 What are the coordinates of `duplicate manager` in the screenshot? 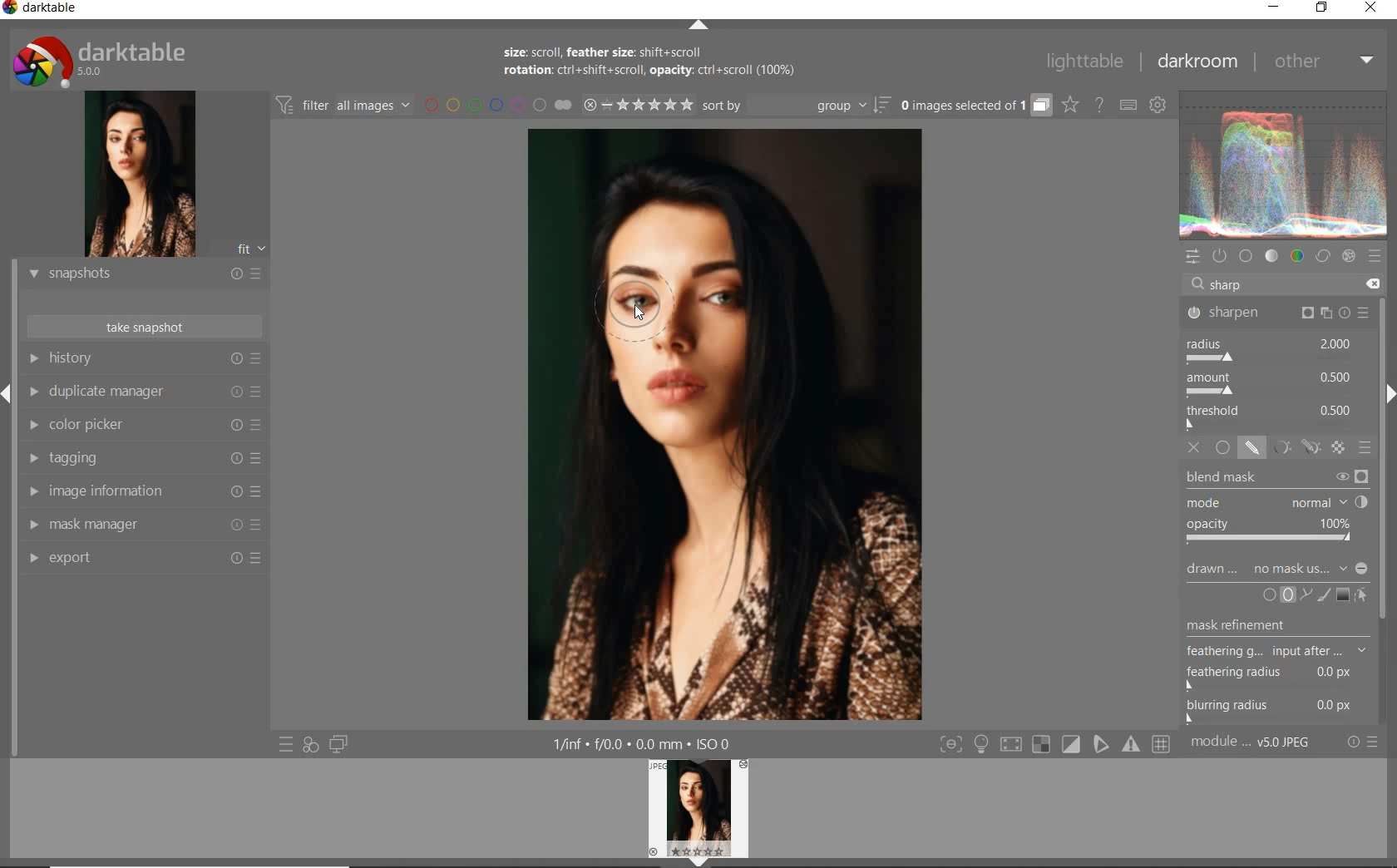 It's located at (144, 390).